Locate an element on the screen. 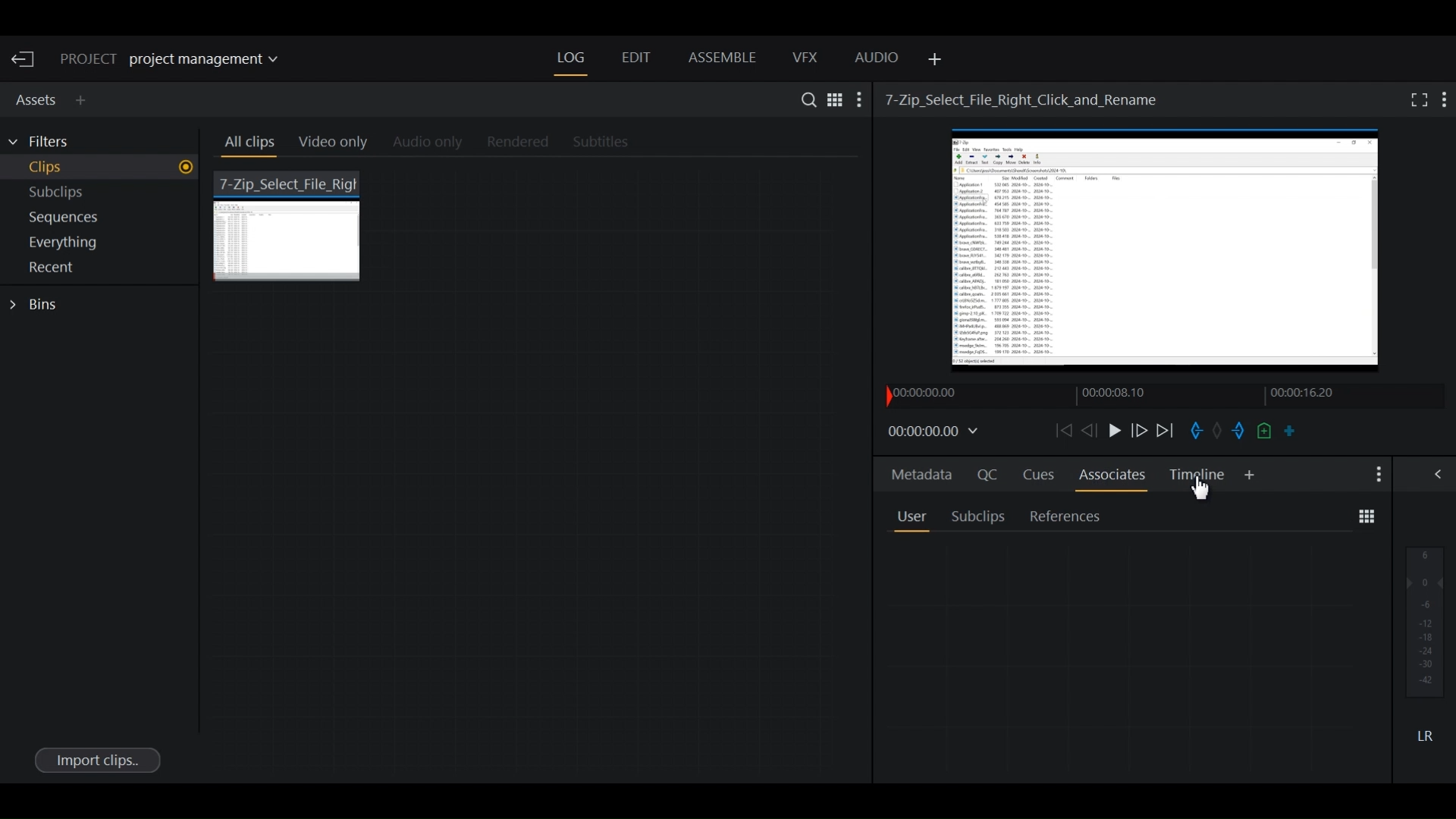 This screenshot has height=819, width=1456. Toggle between list and tile view is located at coordinates (1367, 517).